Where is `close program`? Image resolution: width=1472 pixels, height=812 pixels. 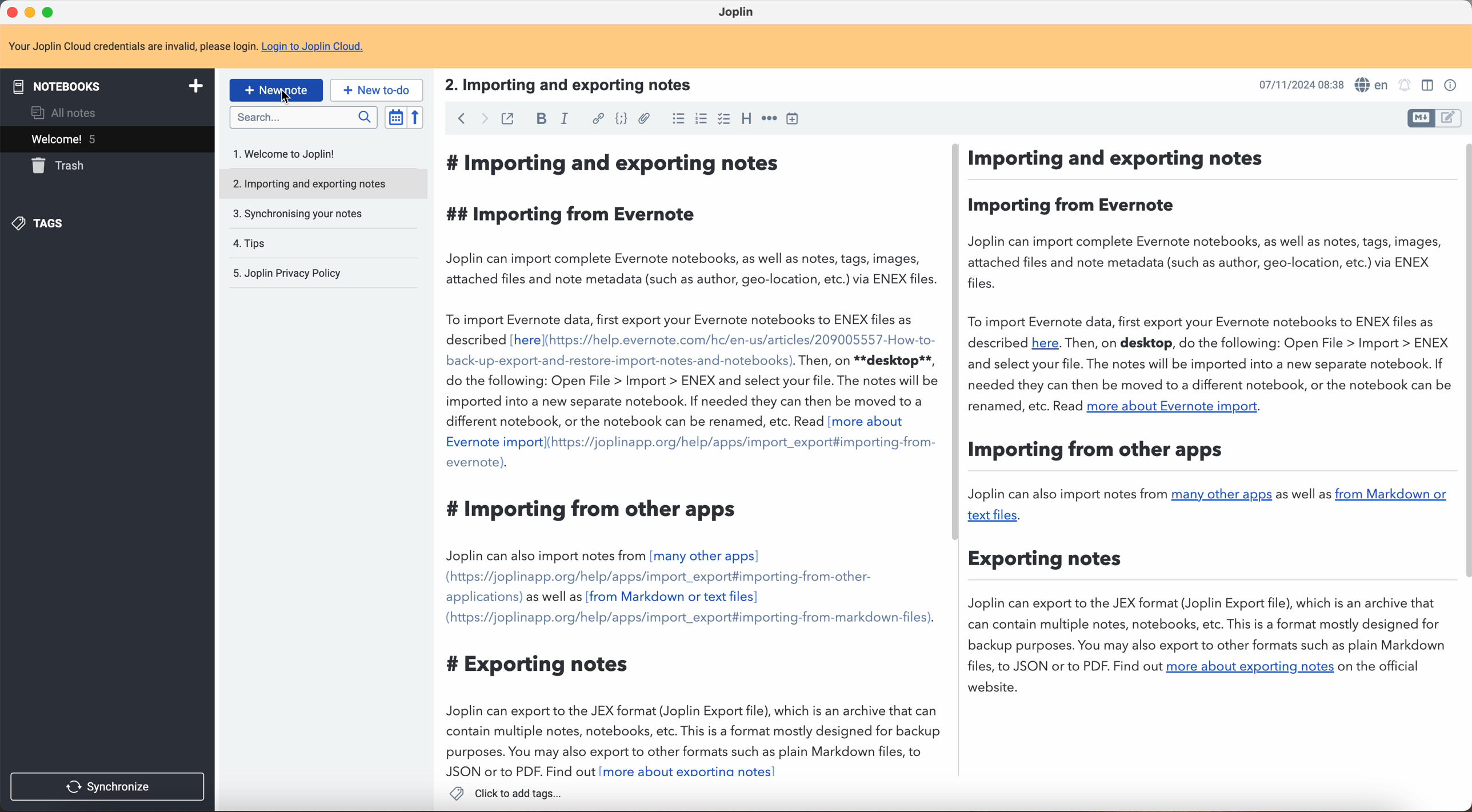
close program is located at coordinates (11, 13).